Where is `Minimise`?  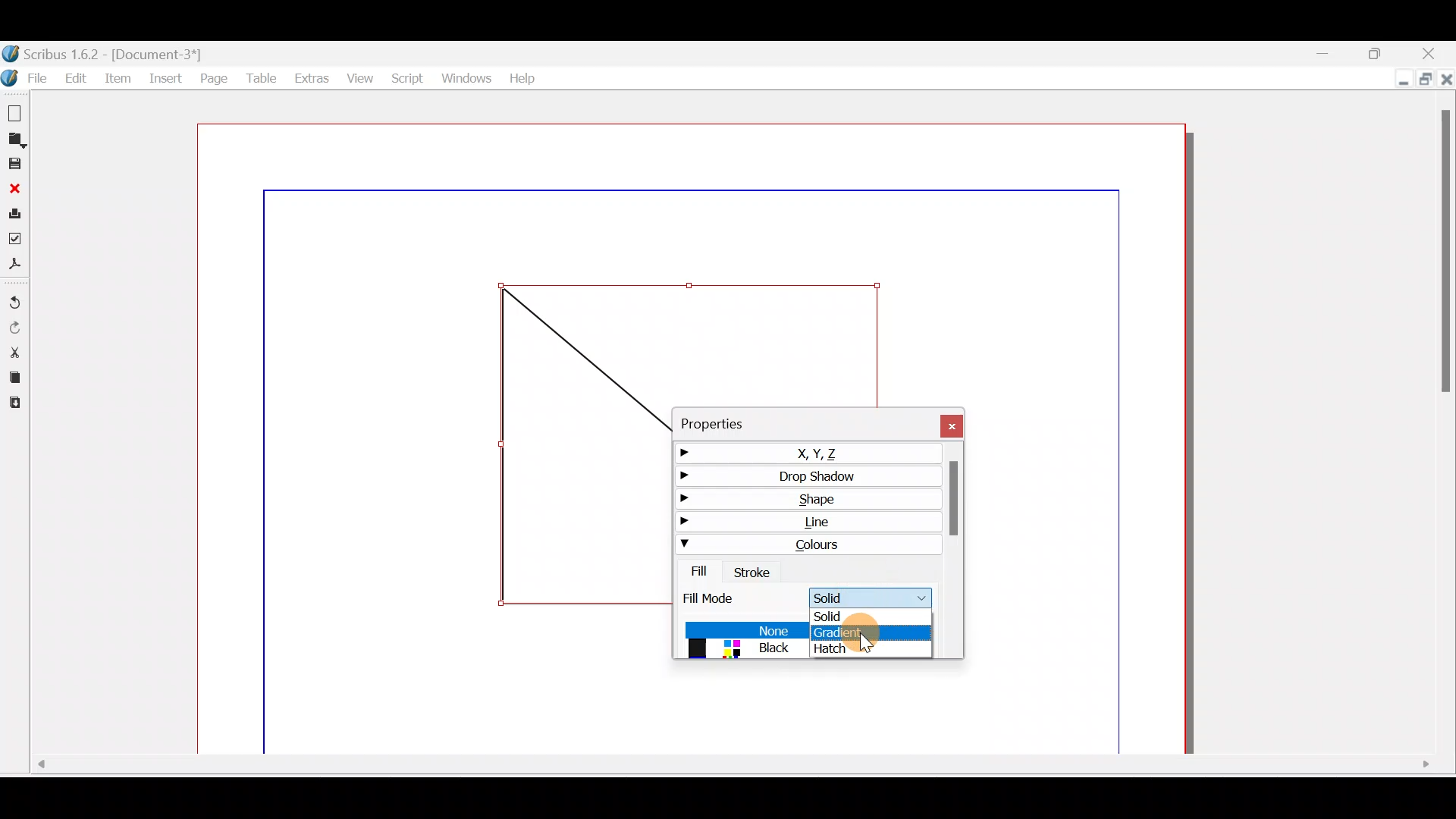
Minimise is located at coordinates (1395, 81).